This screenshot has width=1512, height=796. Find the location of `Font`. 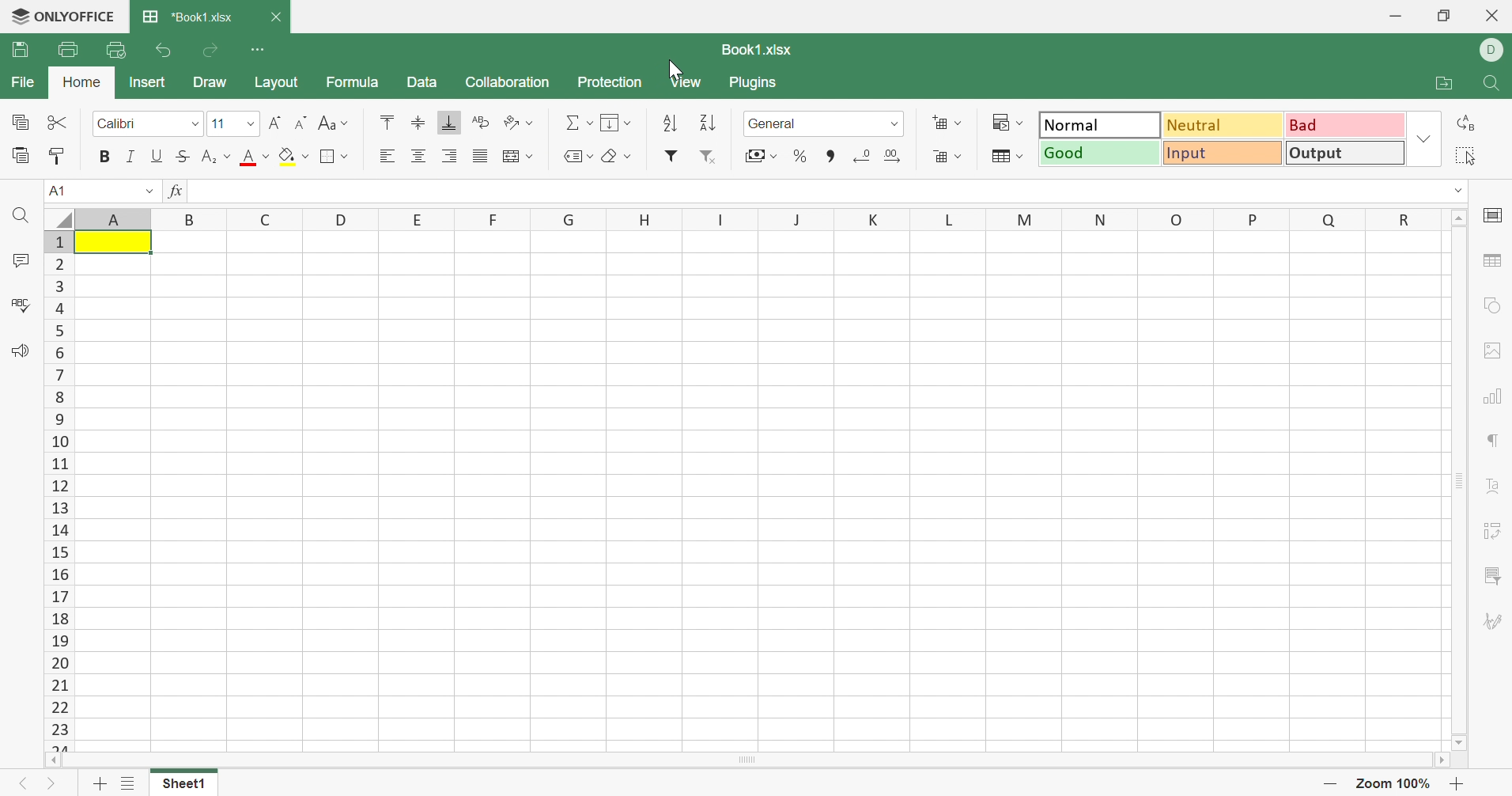

Font is located at coordinates (145, 123).